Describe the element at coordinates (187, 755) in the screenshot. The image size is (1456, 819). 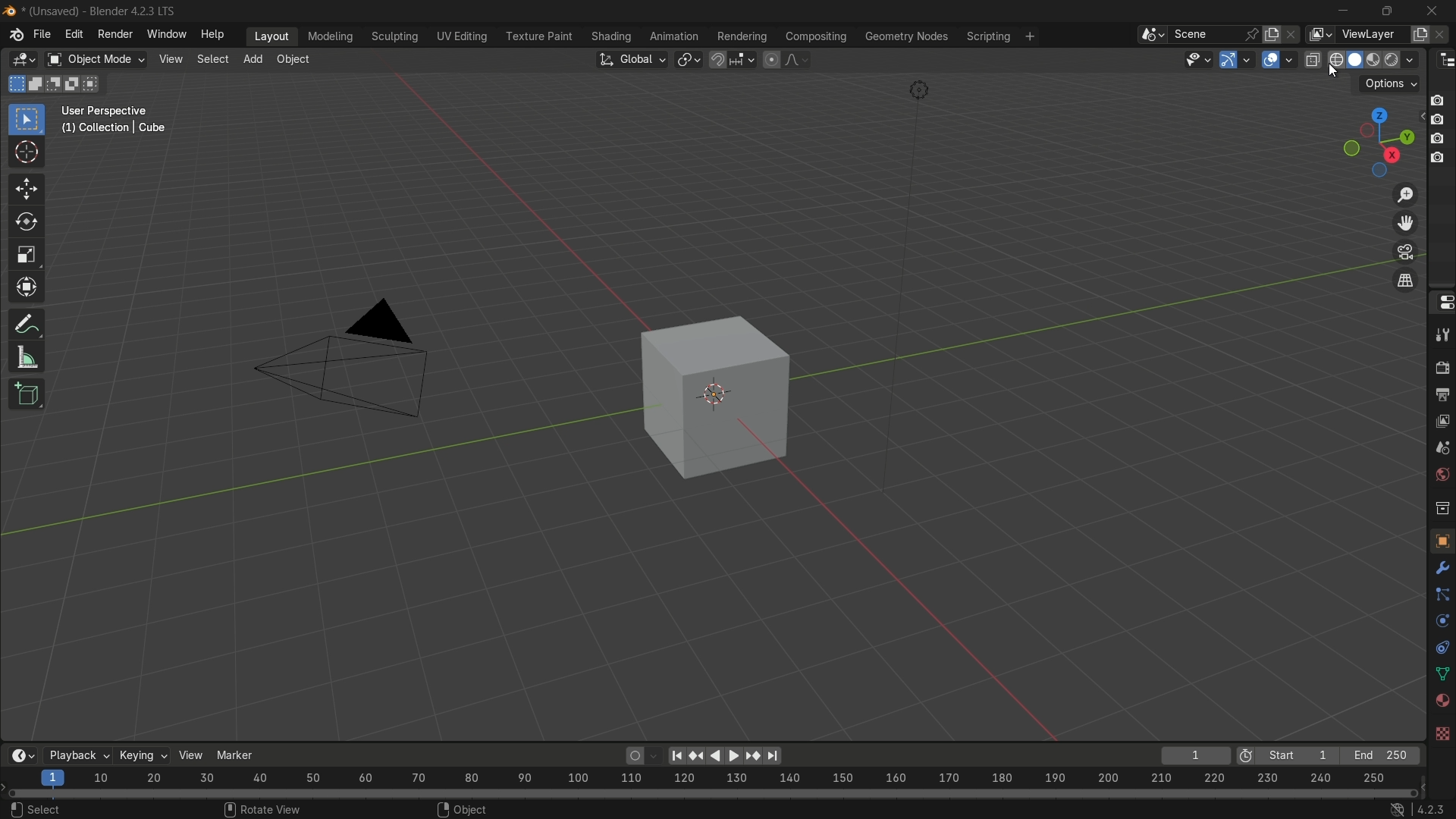
I see `view` at that location.